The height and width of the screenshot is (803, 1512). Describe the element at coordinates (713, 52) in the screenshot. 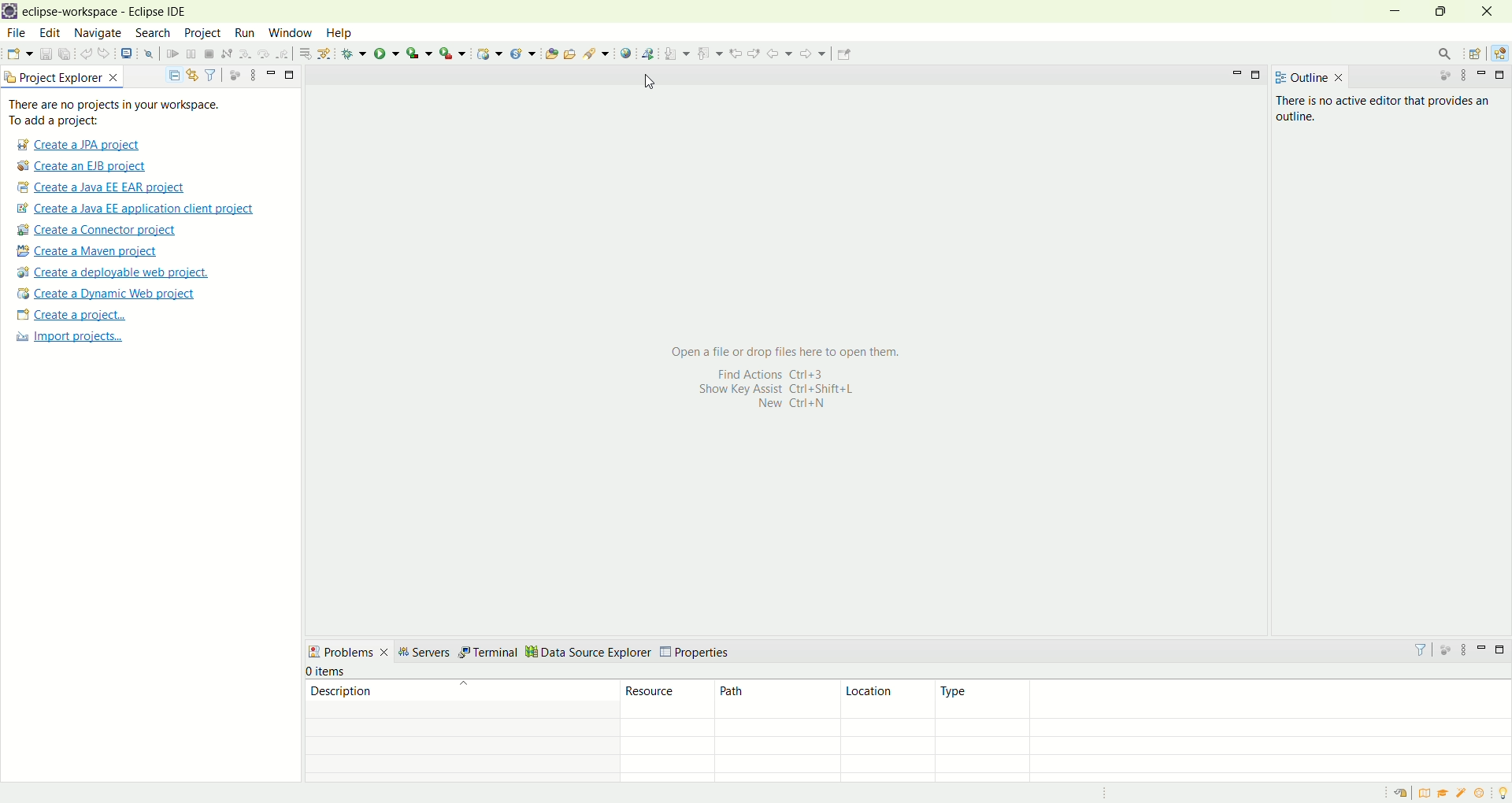

I see `previous annotation` at that location.